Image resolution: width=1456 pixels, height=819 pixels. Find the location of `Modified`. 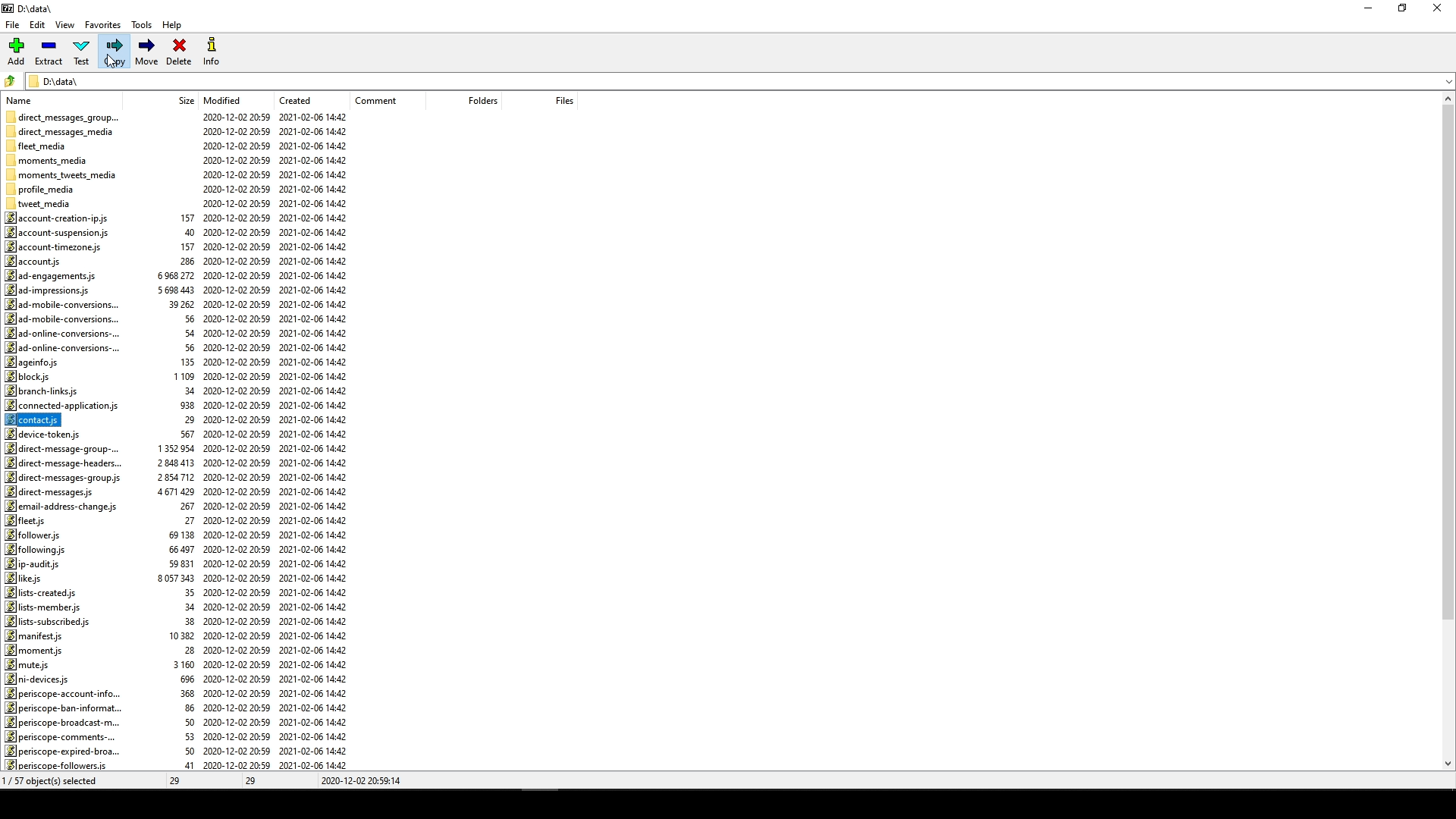

Modified is located at coordinates (226, 99).